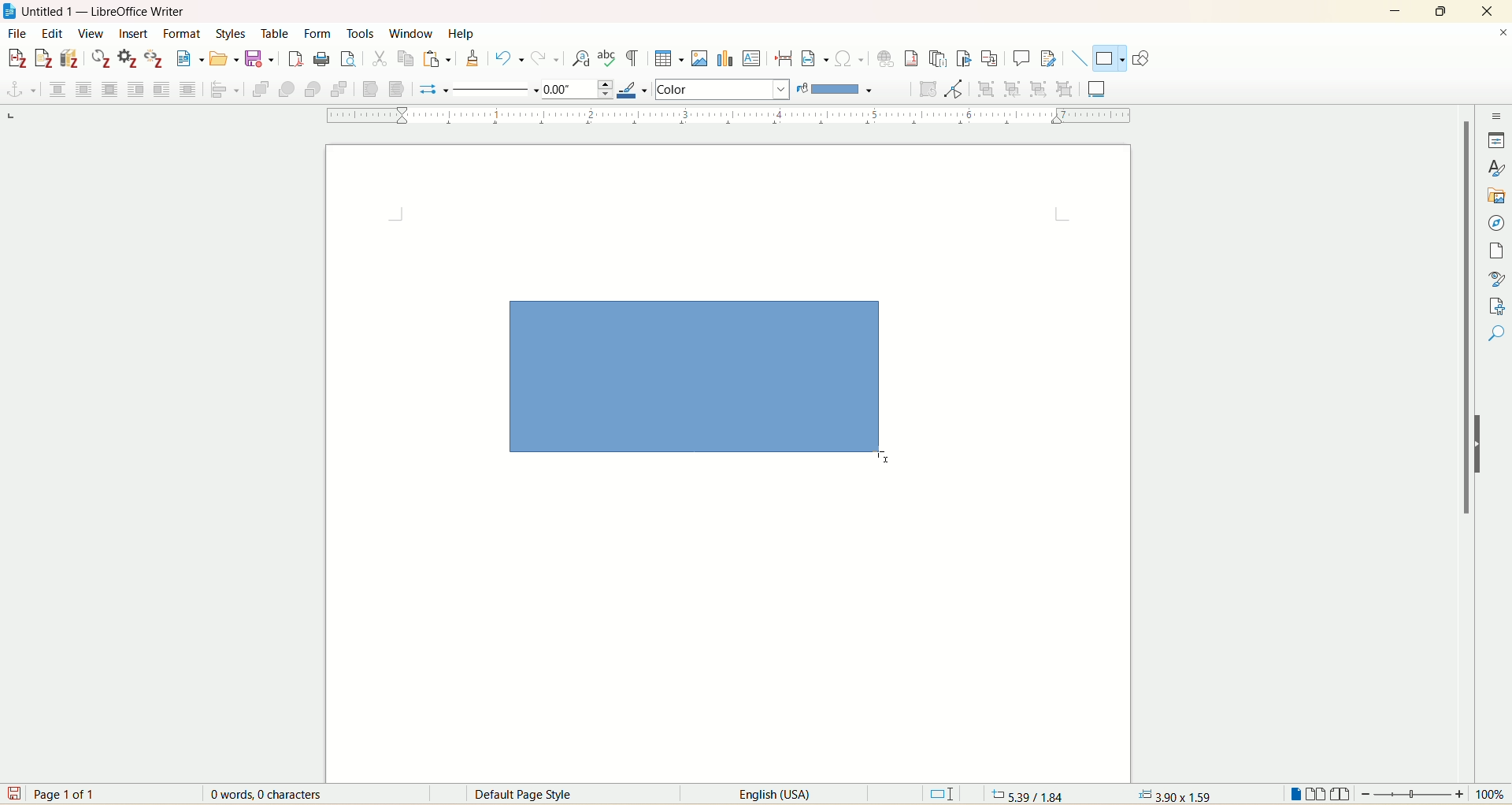 The image size is (1512, 805). Describe the element at coordinates (887, 57) in the screenshot. I see `insert hyperlink` at that location.